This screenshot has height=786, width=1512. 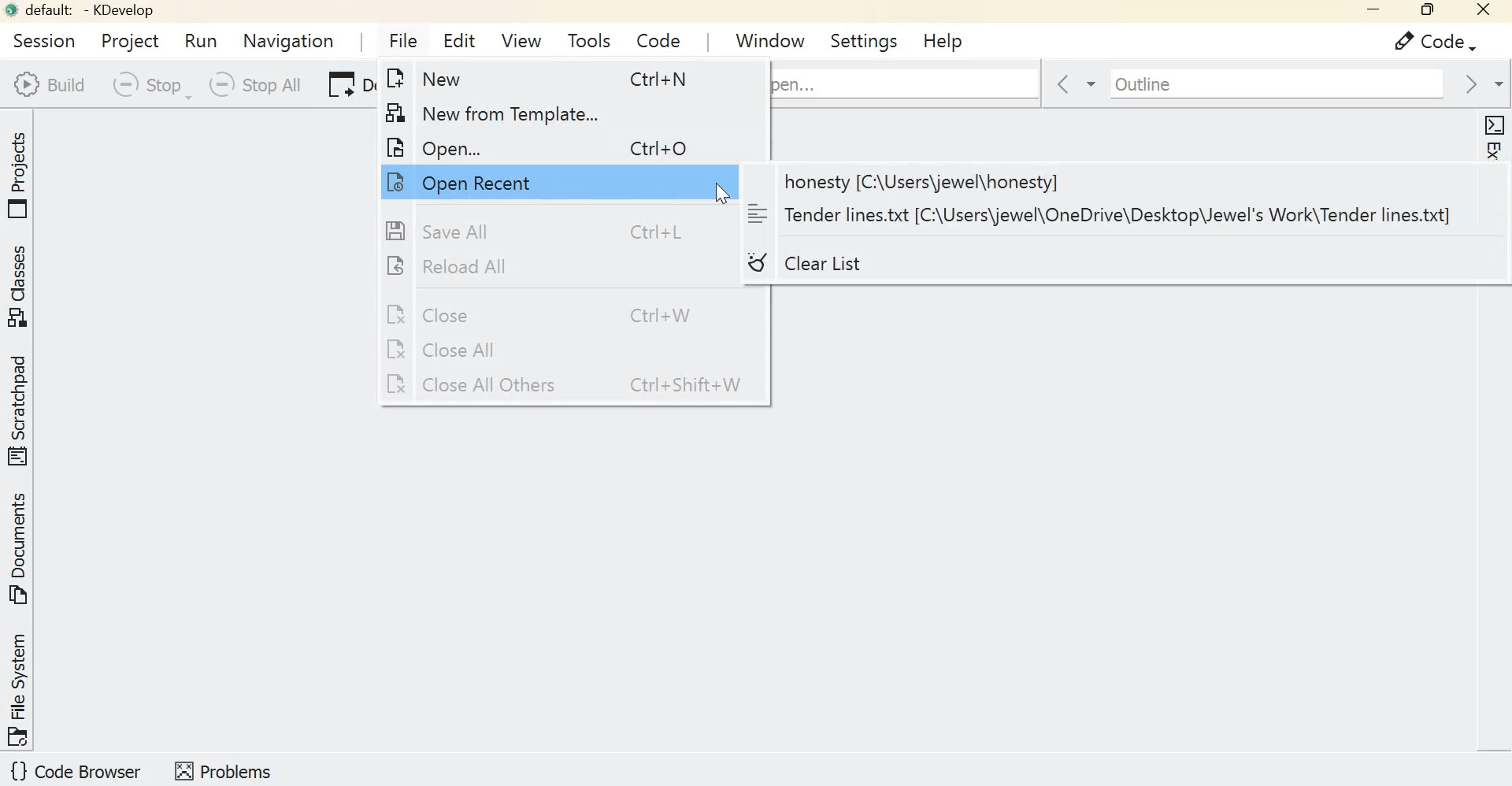 I want to click on Run, so click(x=204, y=41).